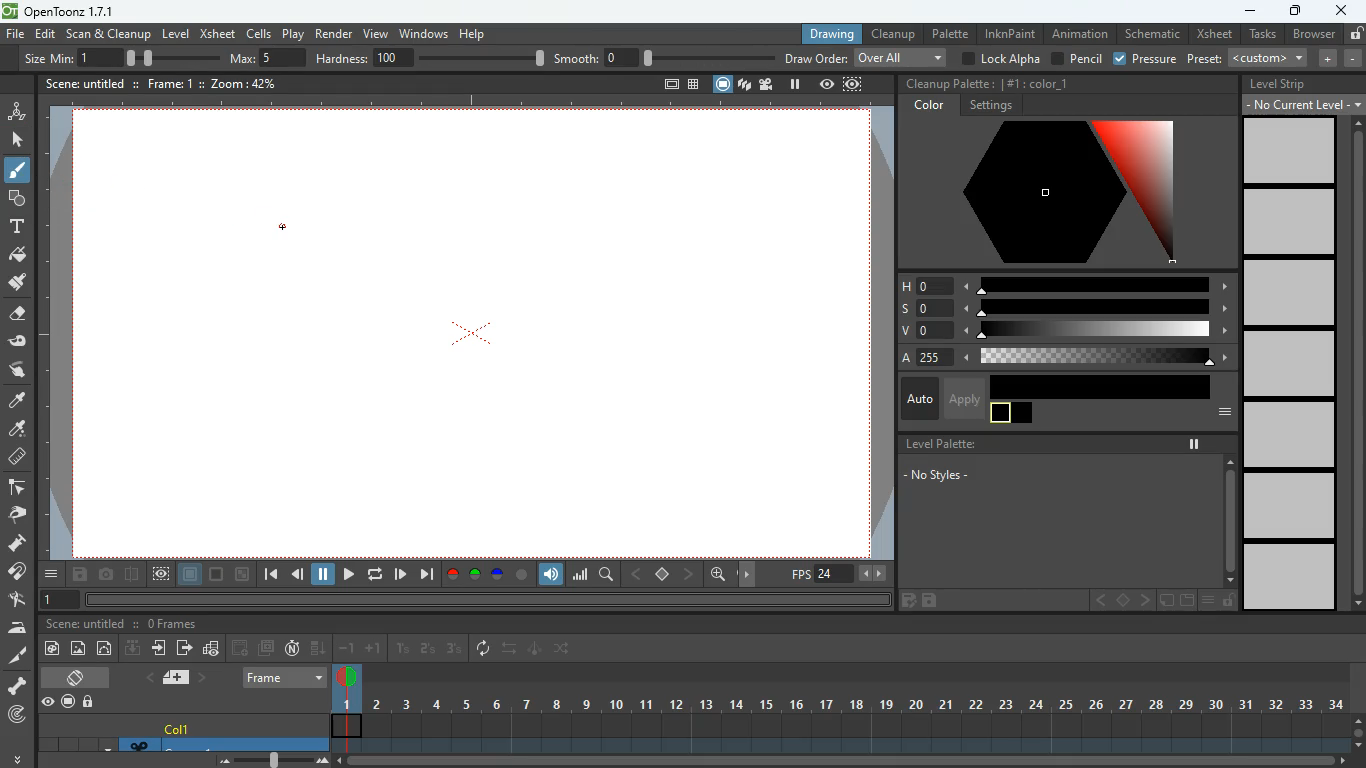 The height and width of the screenshot is (768, 1366). Describe the element at coordinates (1287, 362) in the screenshot. I see `level` at that location.